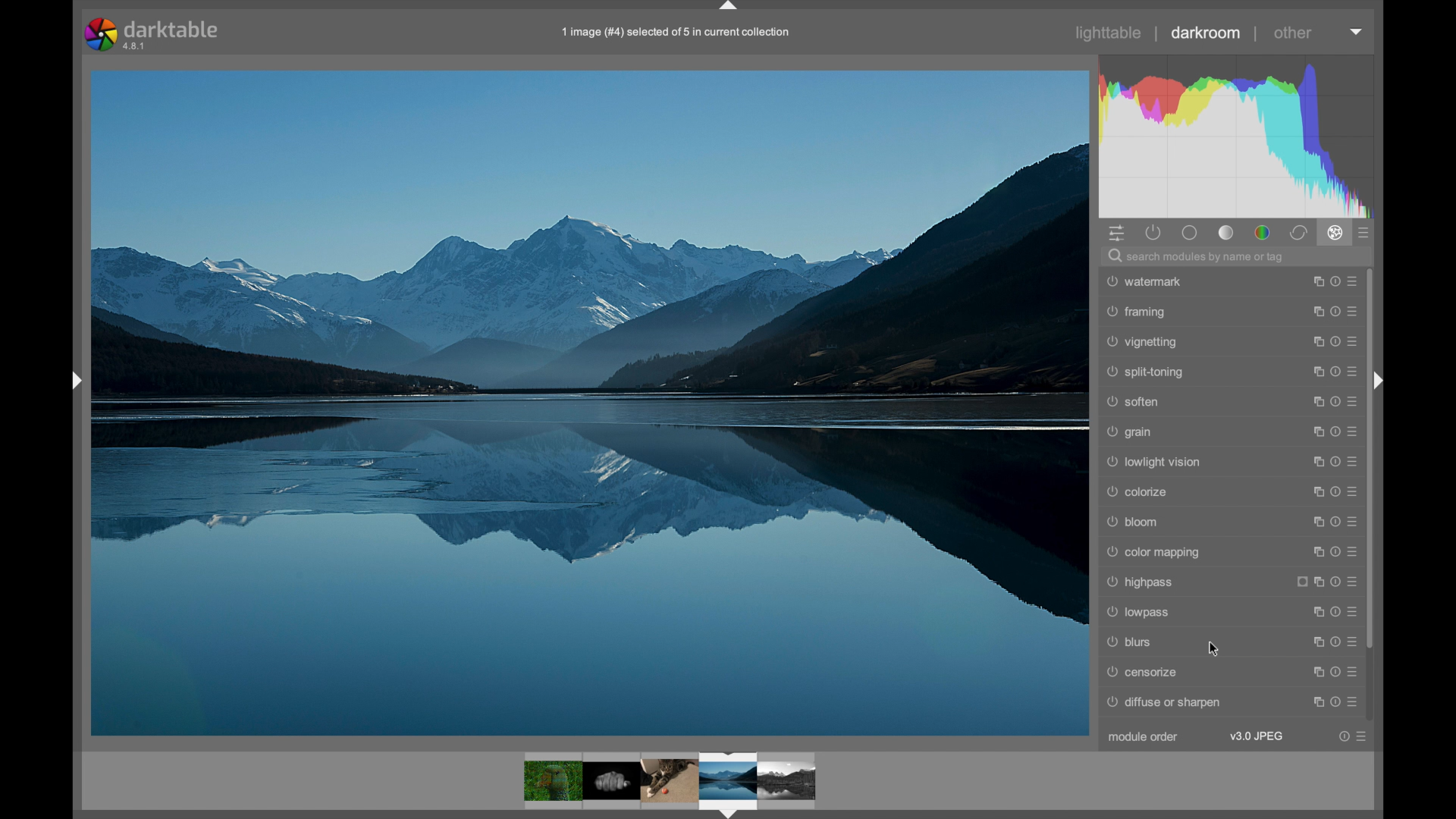 Image resolution: width=1456 pixels, height=819 pixels. I want to click on more options, so click(1352, 463).